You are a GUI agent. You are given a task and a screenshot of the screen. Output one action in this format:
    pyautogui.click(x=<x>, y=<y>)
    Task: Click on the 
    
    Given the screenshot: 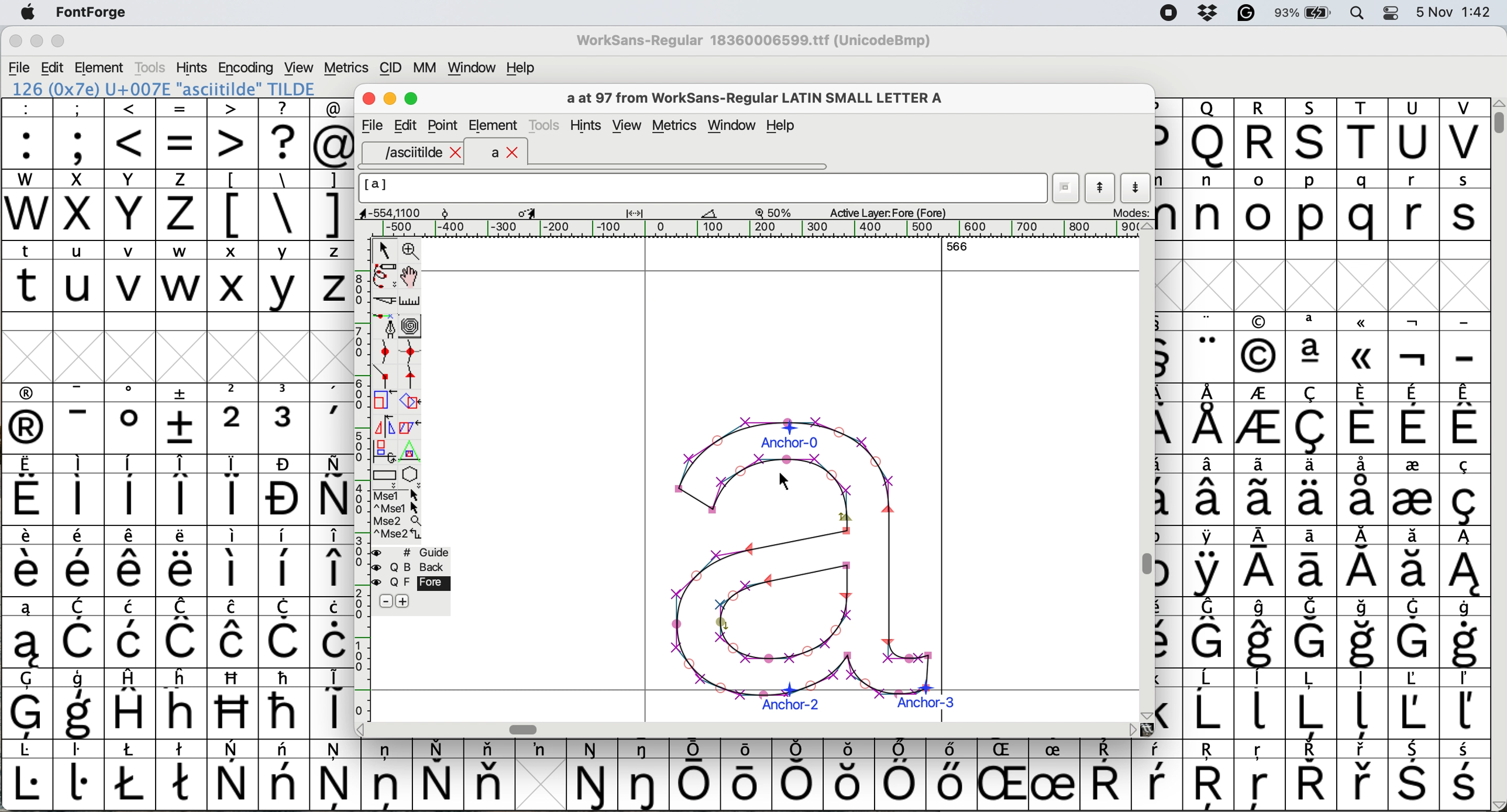 What is the action you would take?
    pyautogui.click(x=850, y=775)
    